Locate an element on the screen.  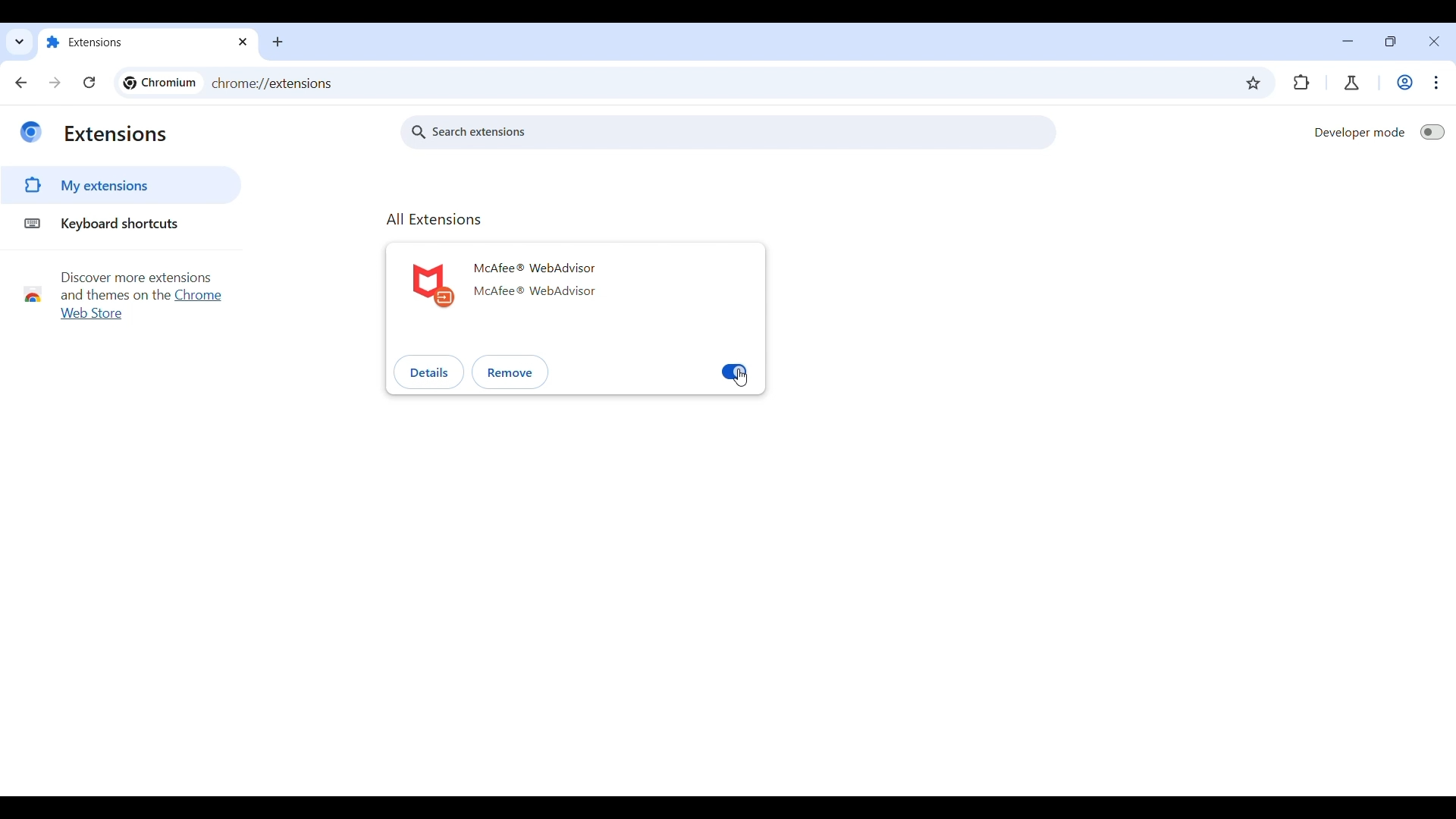
Close interface is located at coordinates (1434, 41).